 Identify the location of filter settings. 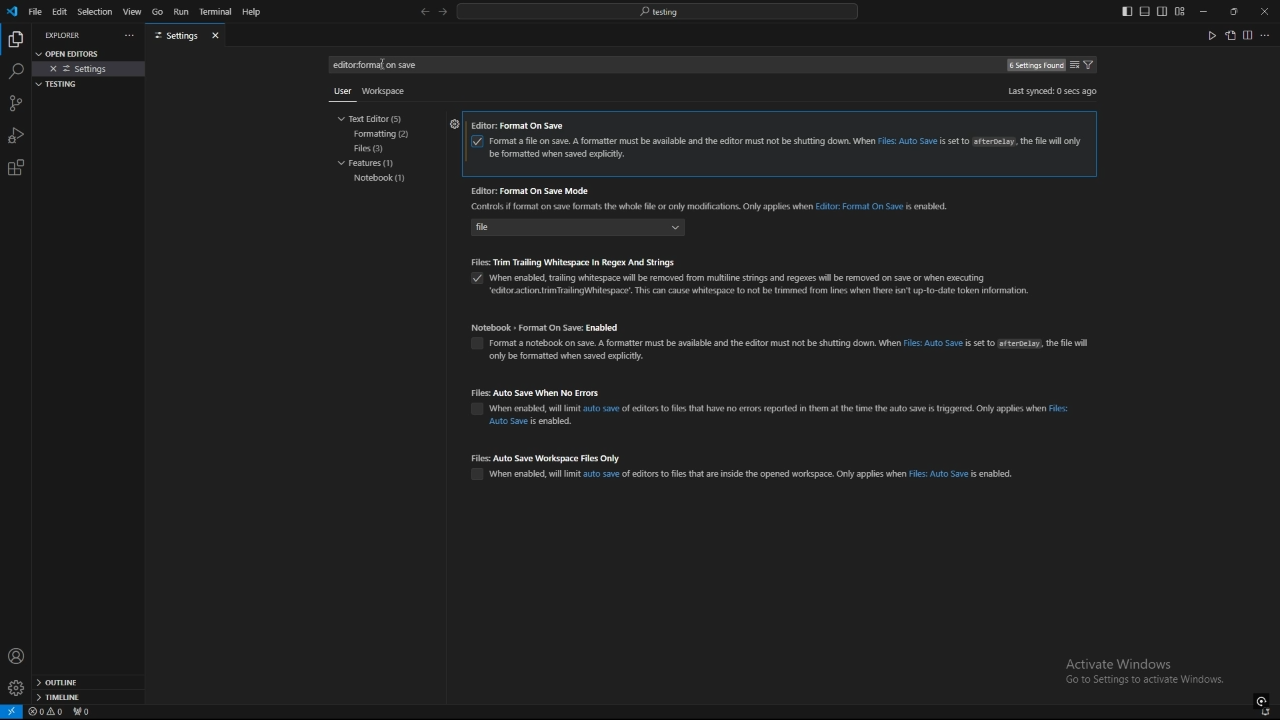
(1092, 65).